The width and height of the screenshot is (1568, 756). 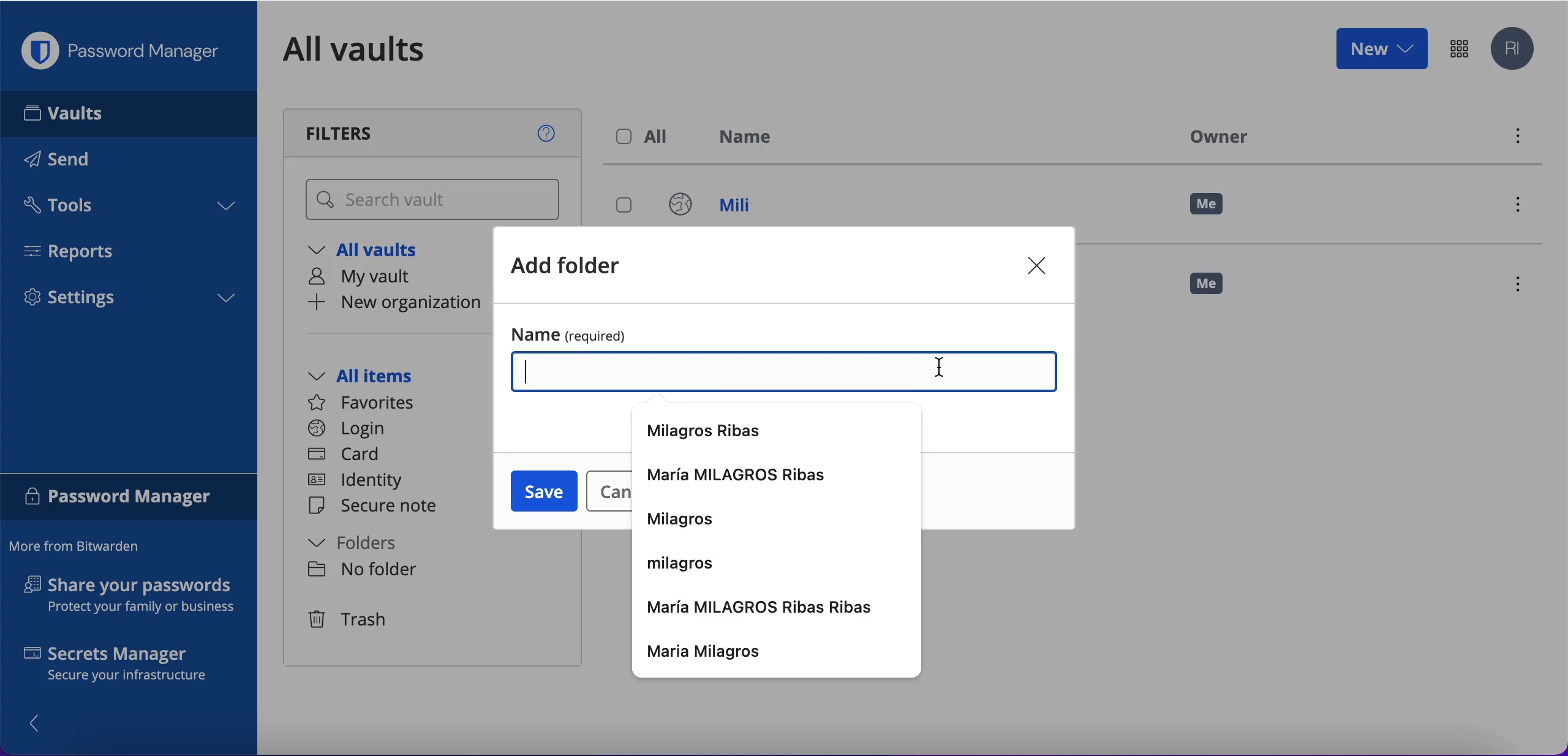 I want to click on maria milagros ribas, so click(x=744, y=475).